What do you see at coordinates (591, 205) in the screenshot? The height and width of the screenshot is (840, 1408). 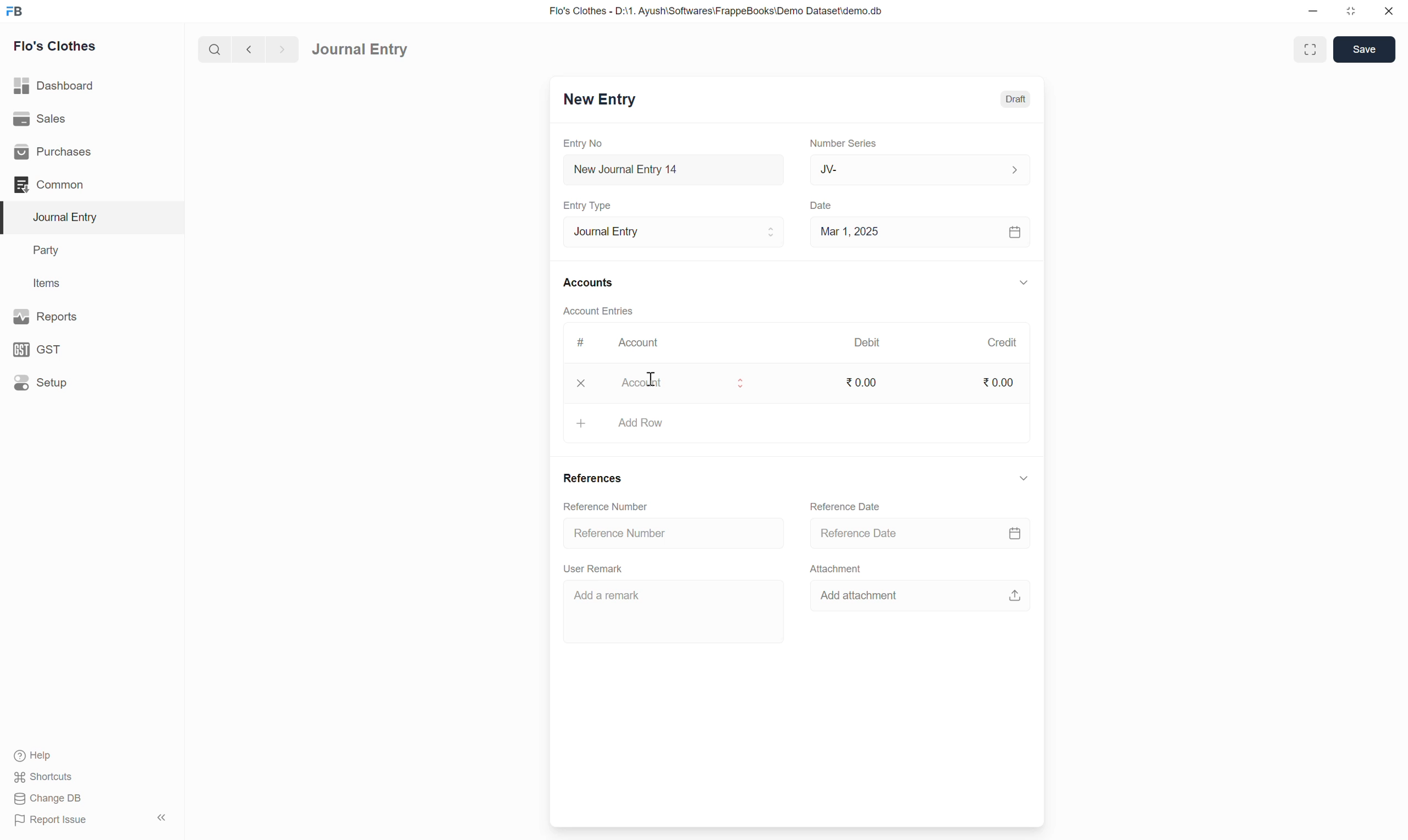 I see `Entry Type` at bounding box center [591, 205].